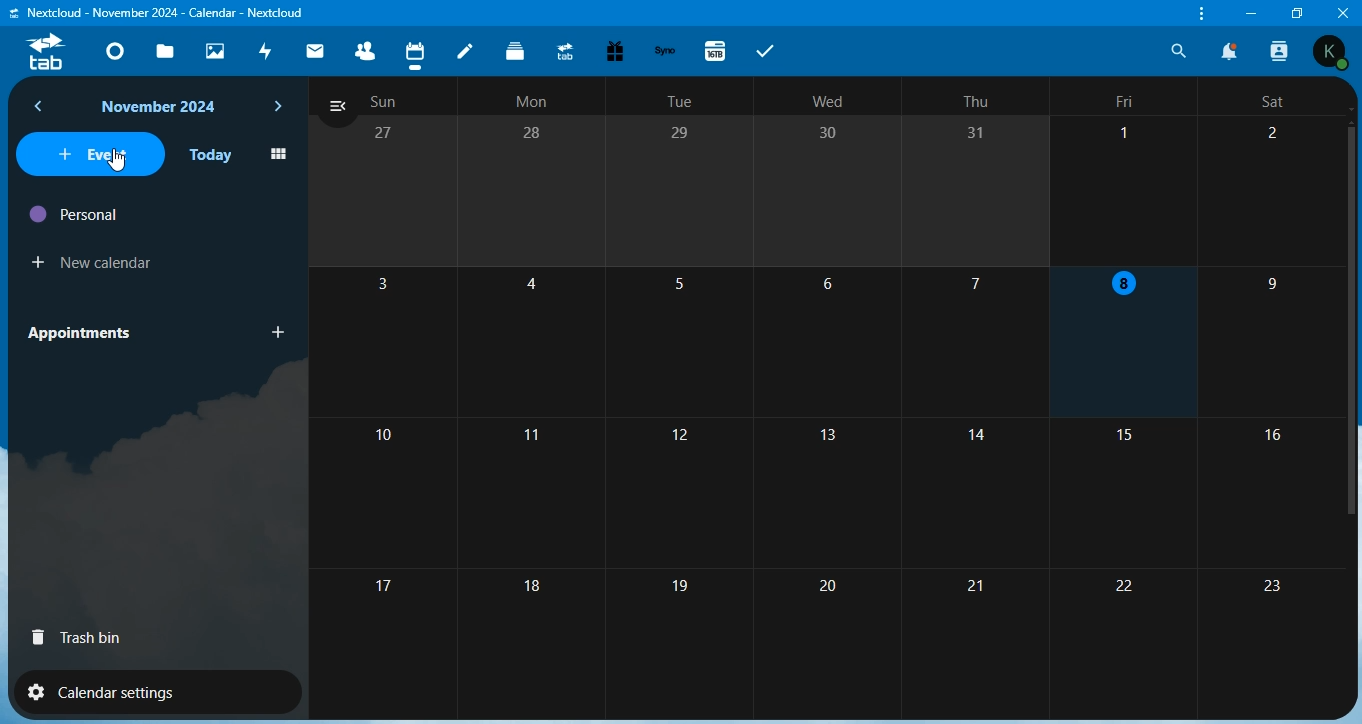 This screenshot has height=724, width=1362. Describe the element at coordinates (416, 50) in the screenshot. I see `calendar` at that location.